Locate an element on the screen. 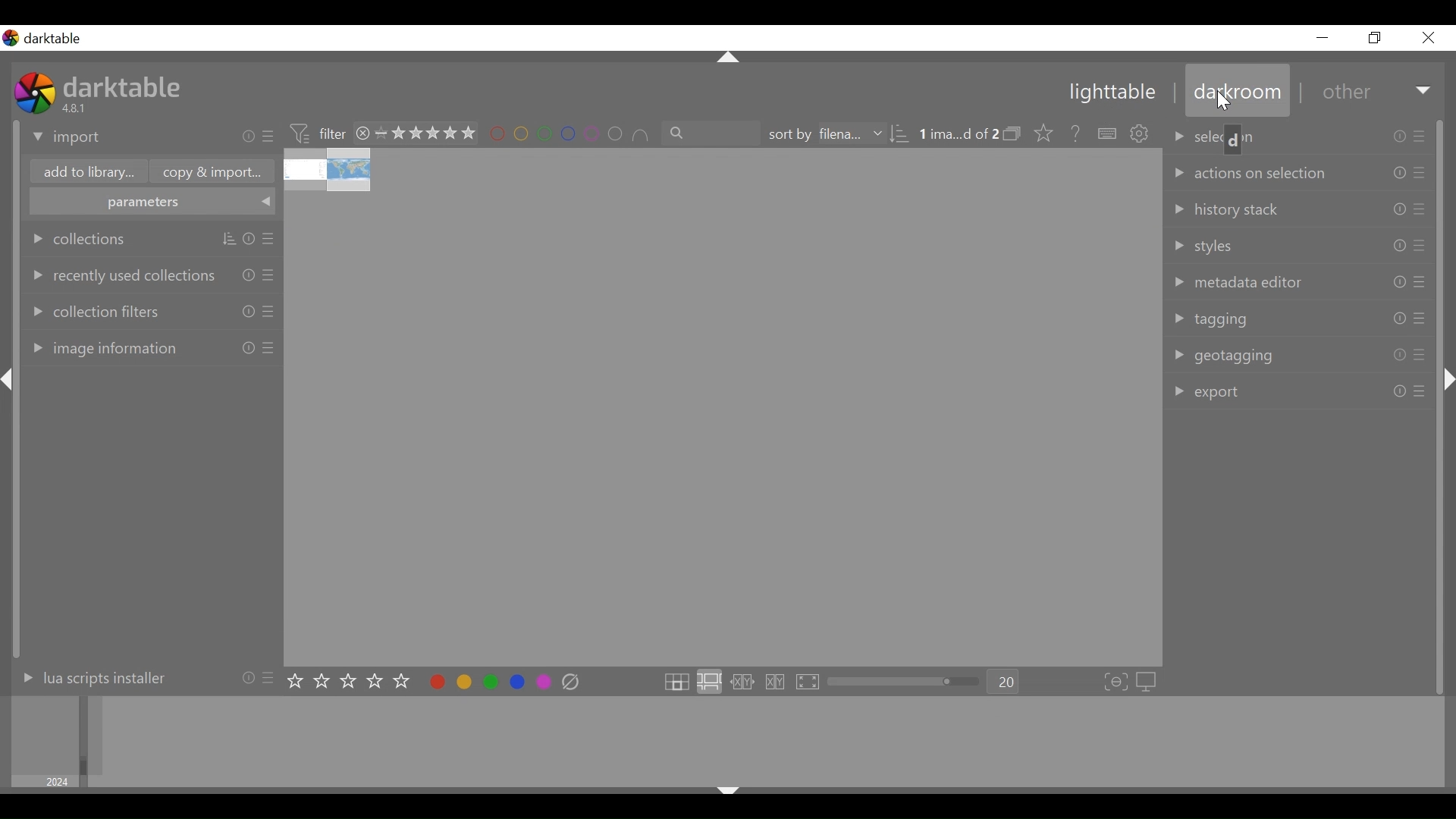  lua scripts installer is located at coordinates (139, 682).